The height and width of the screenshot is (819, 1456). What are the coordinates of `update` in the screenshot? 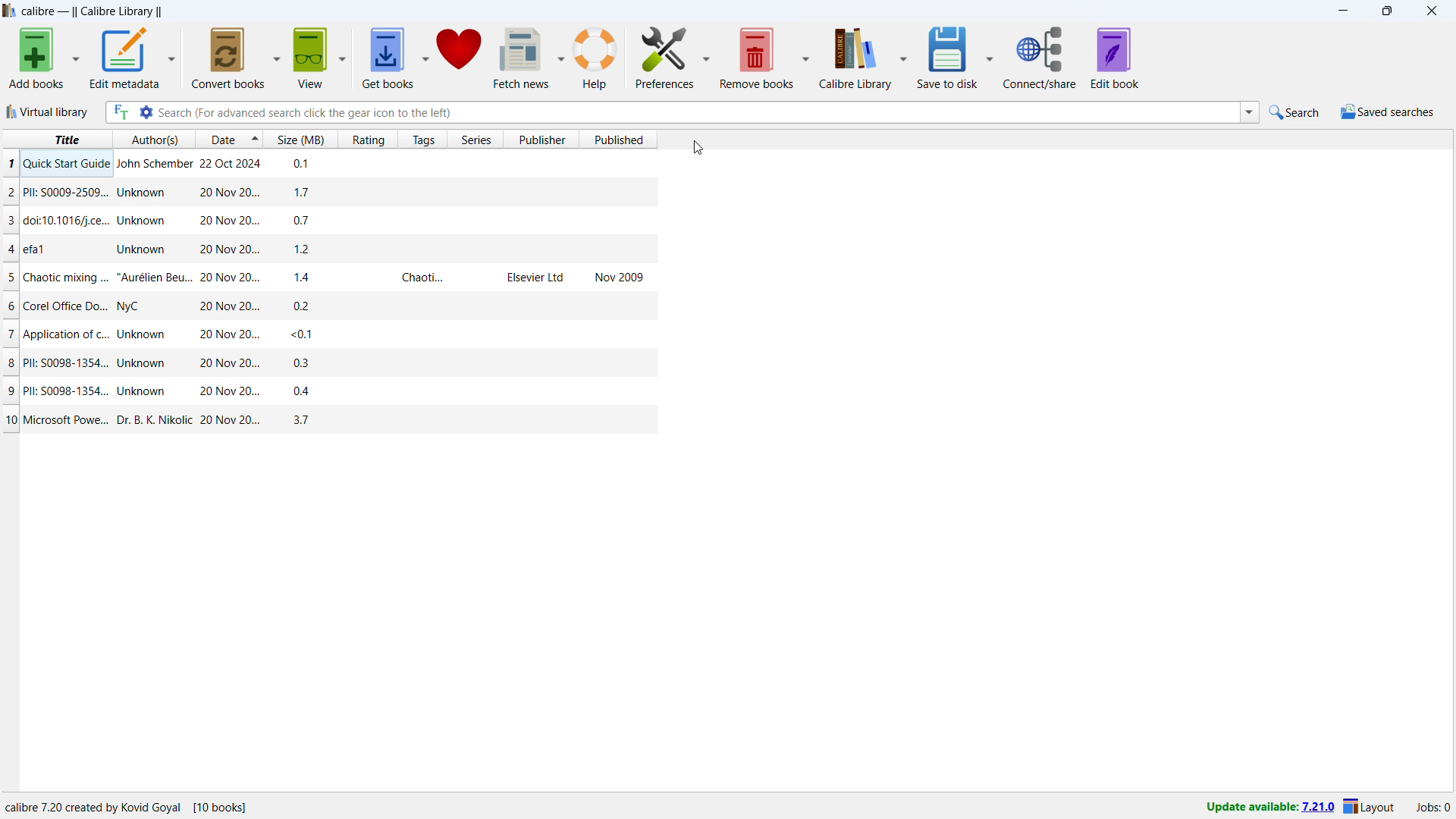 It's located at (1268, 808).